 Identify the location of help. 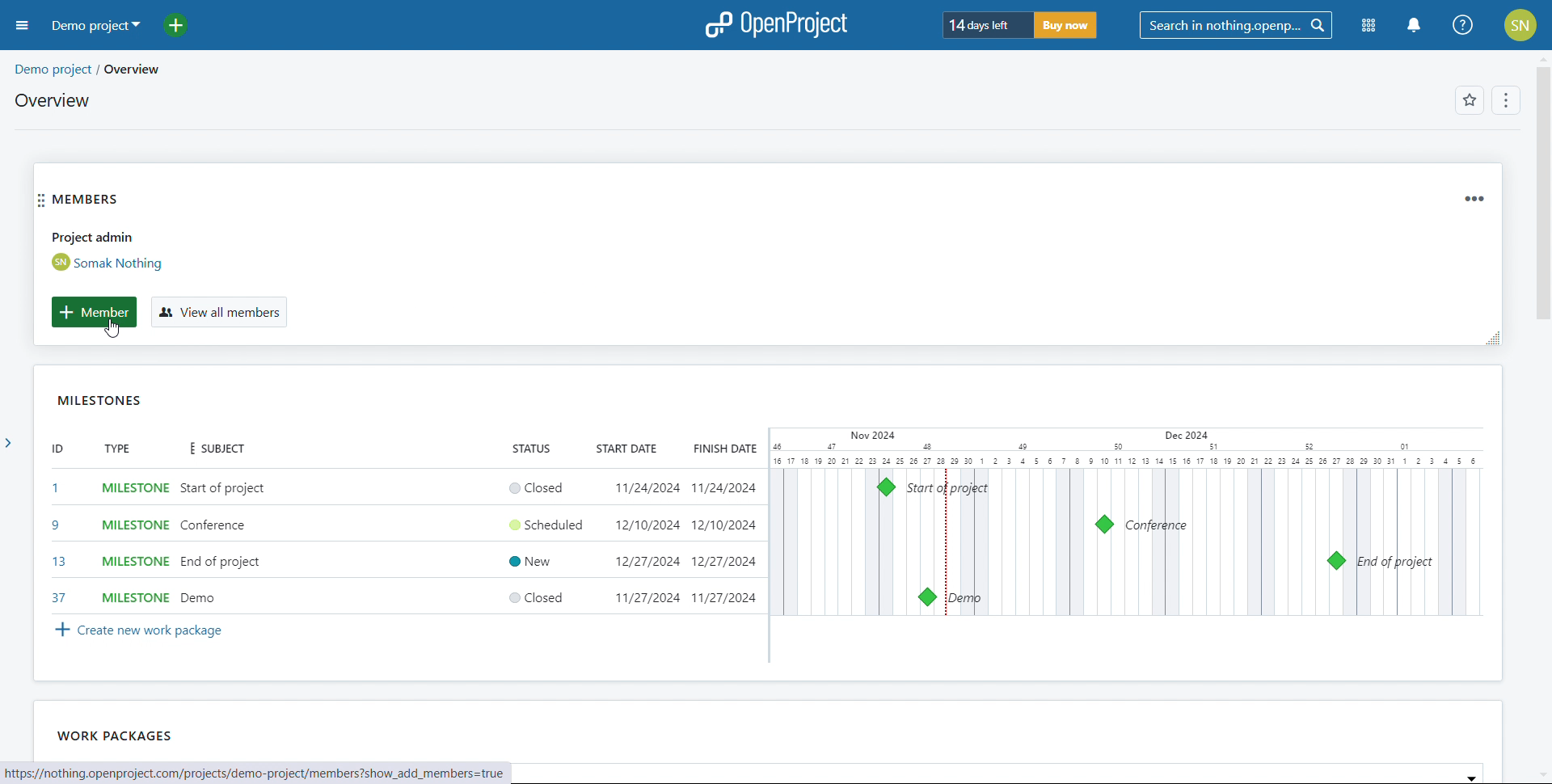
(1464, 25).